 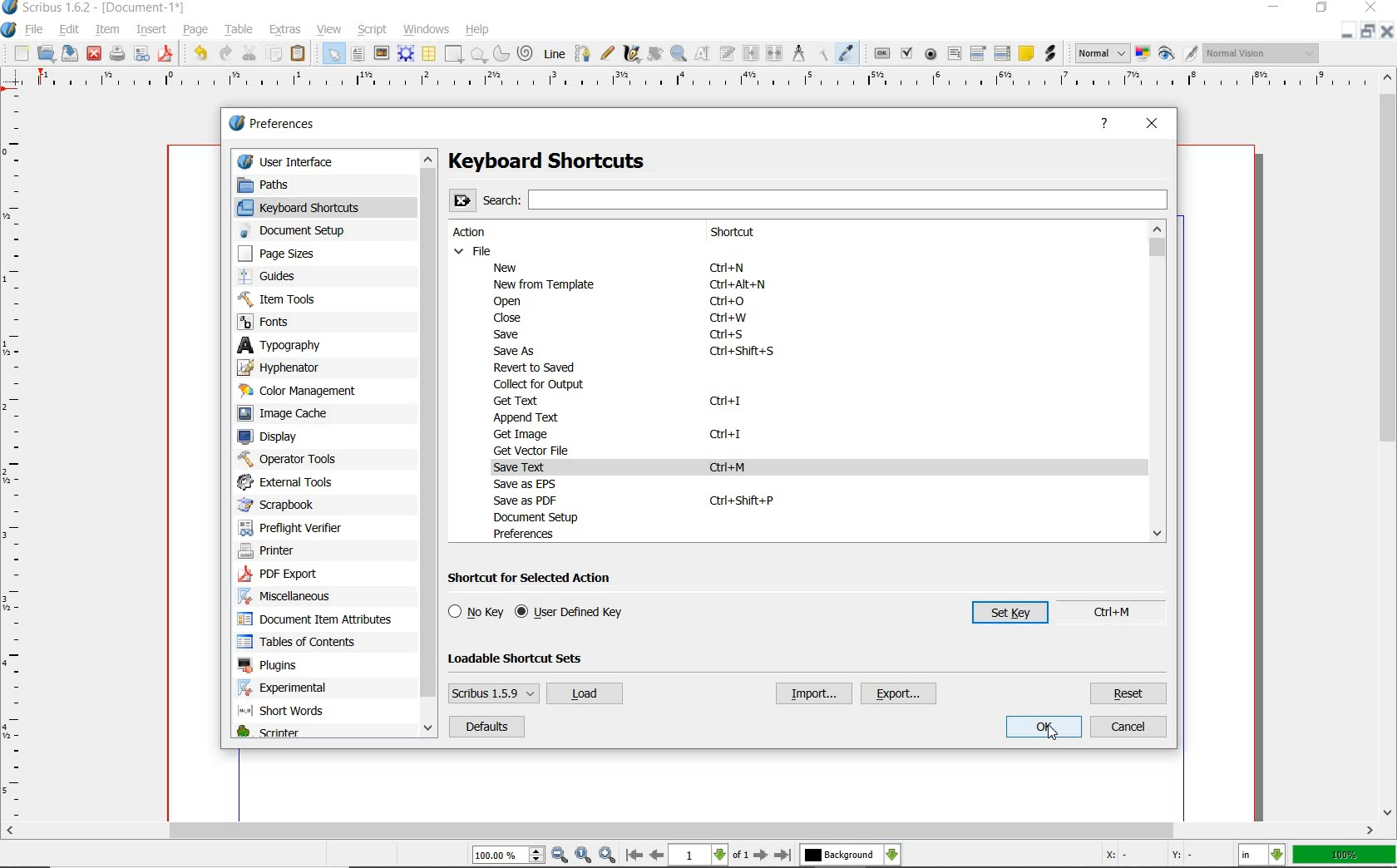 I want to click on line, so click(x=553, y=54).